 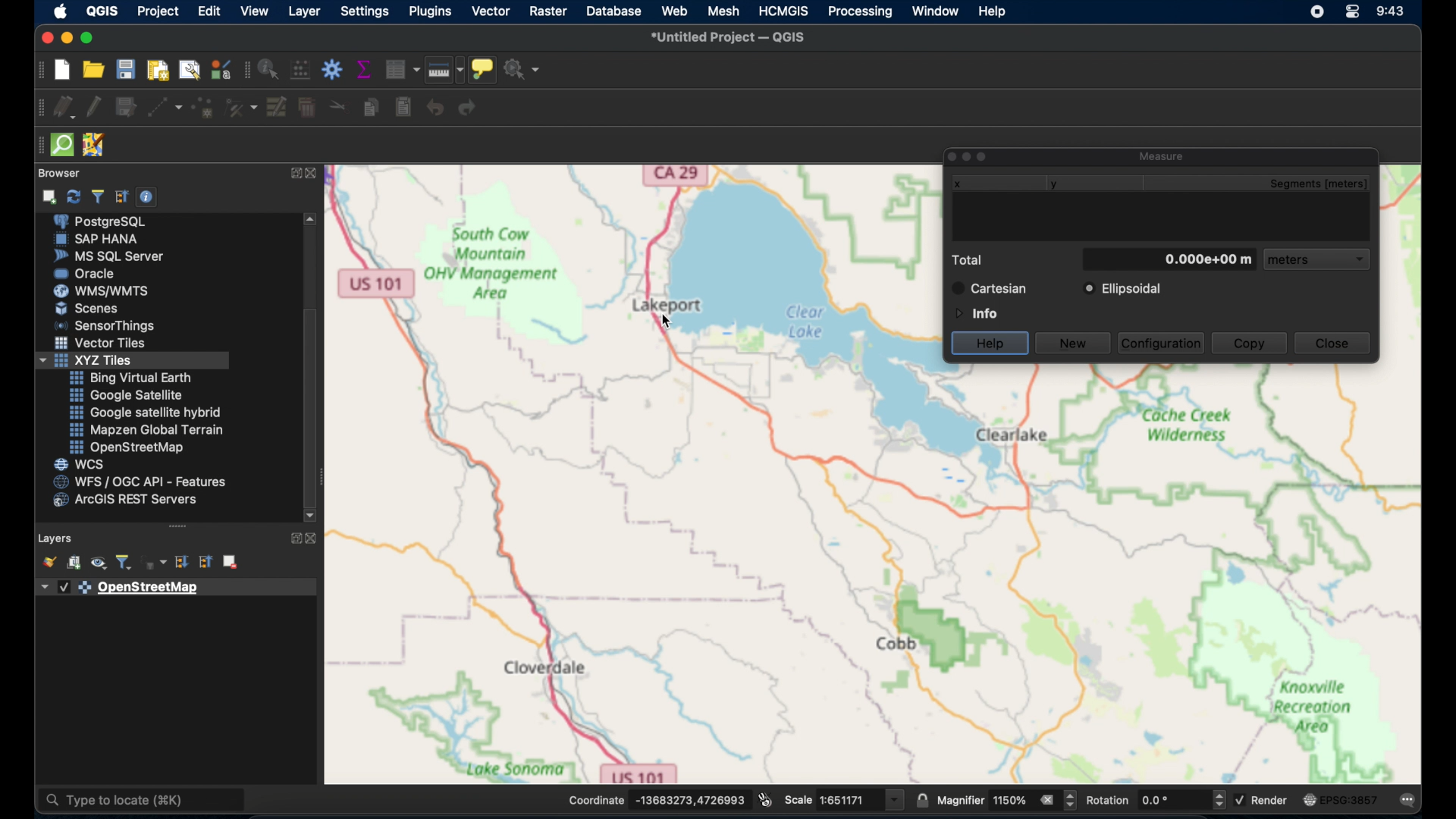 I want to click on save layer e dits, so click(x=124, y=109).